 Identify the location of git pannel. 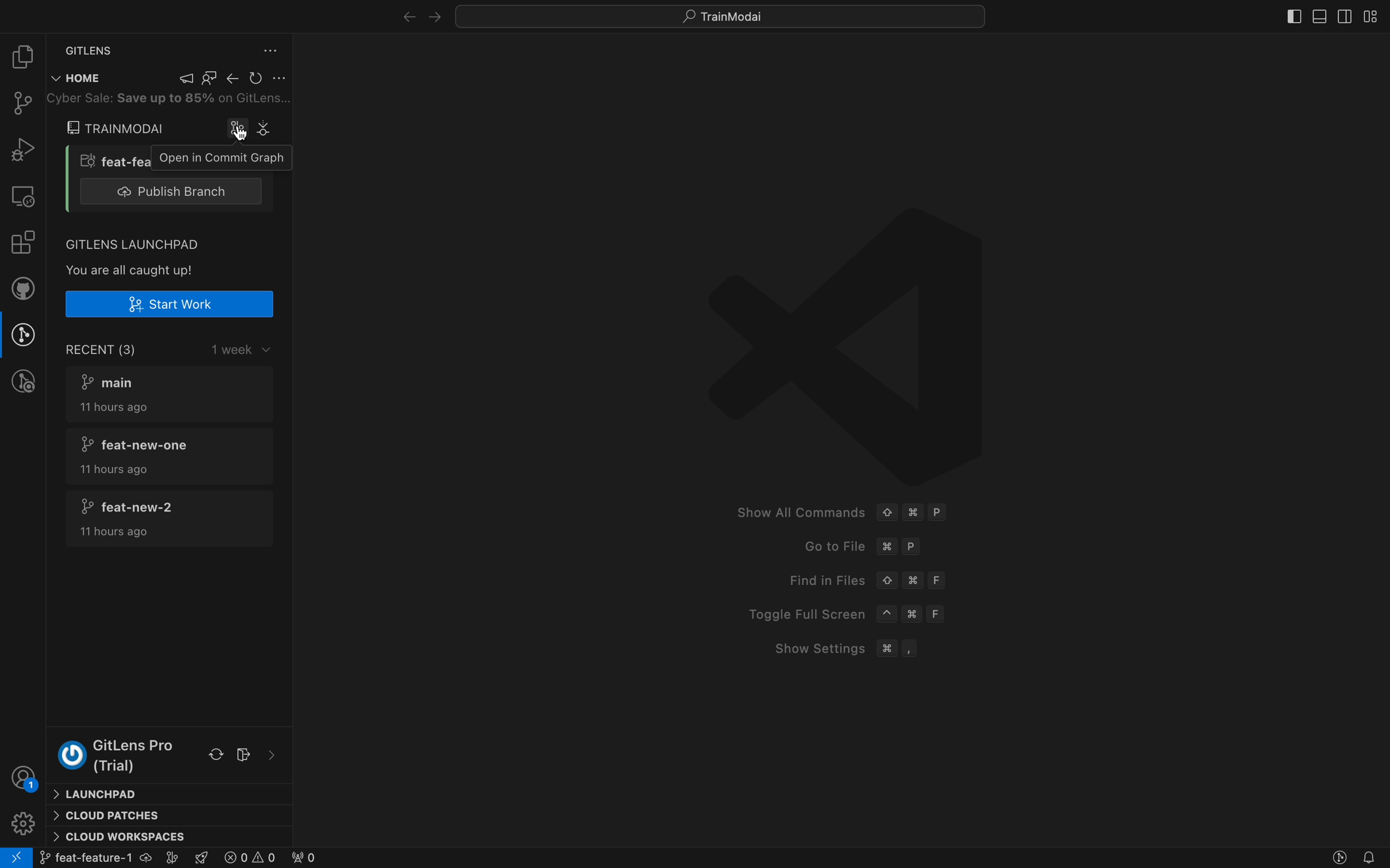
(20, 103).